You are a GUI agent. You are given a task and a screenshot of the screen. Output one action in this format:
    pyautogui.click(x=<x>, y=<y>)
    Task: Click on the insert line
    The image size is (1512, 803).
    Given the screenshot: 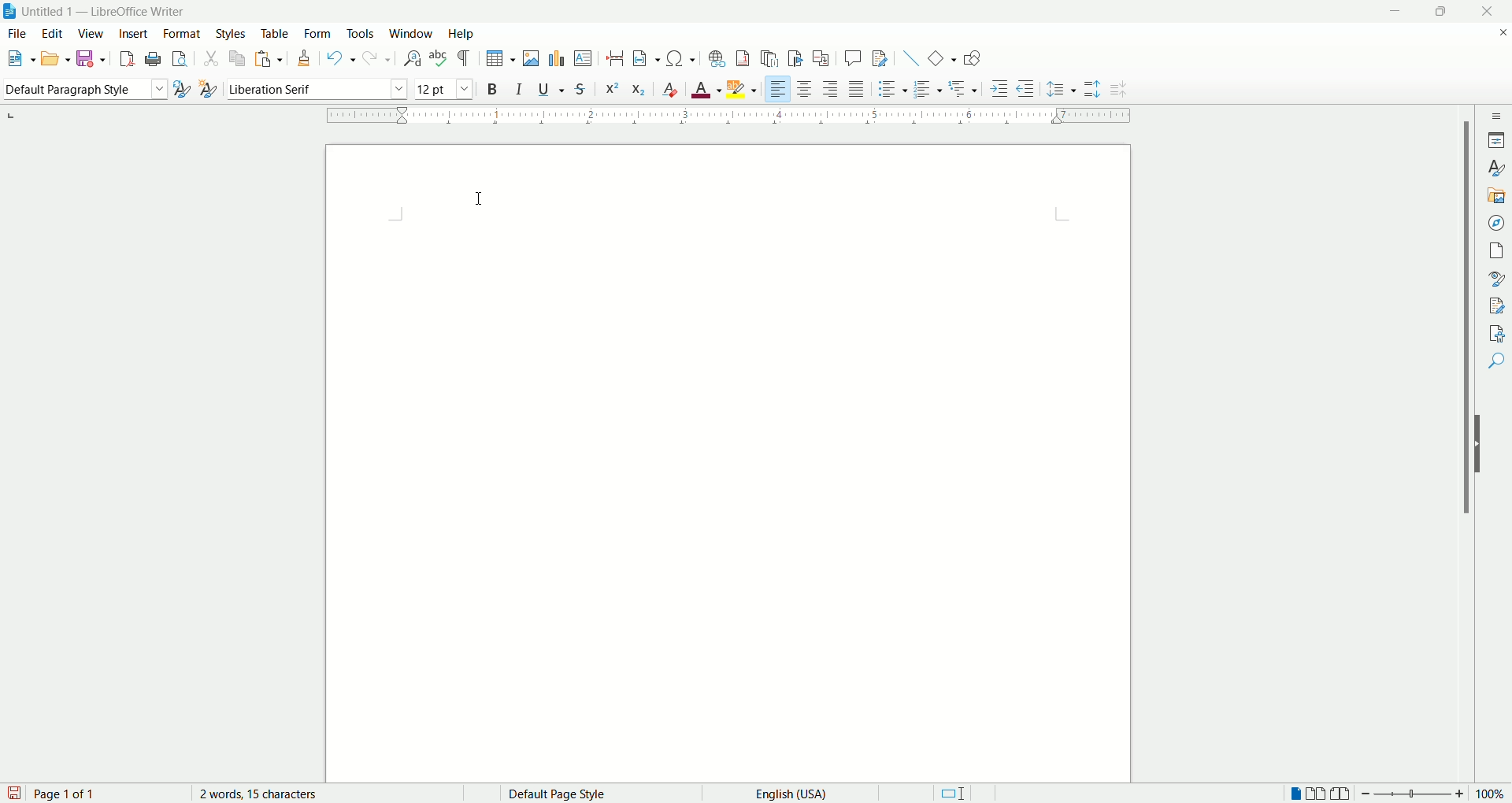 What is the action you would take?
    pyautogui.click(x=910, y=57)
    